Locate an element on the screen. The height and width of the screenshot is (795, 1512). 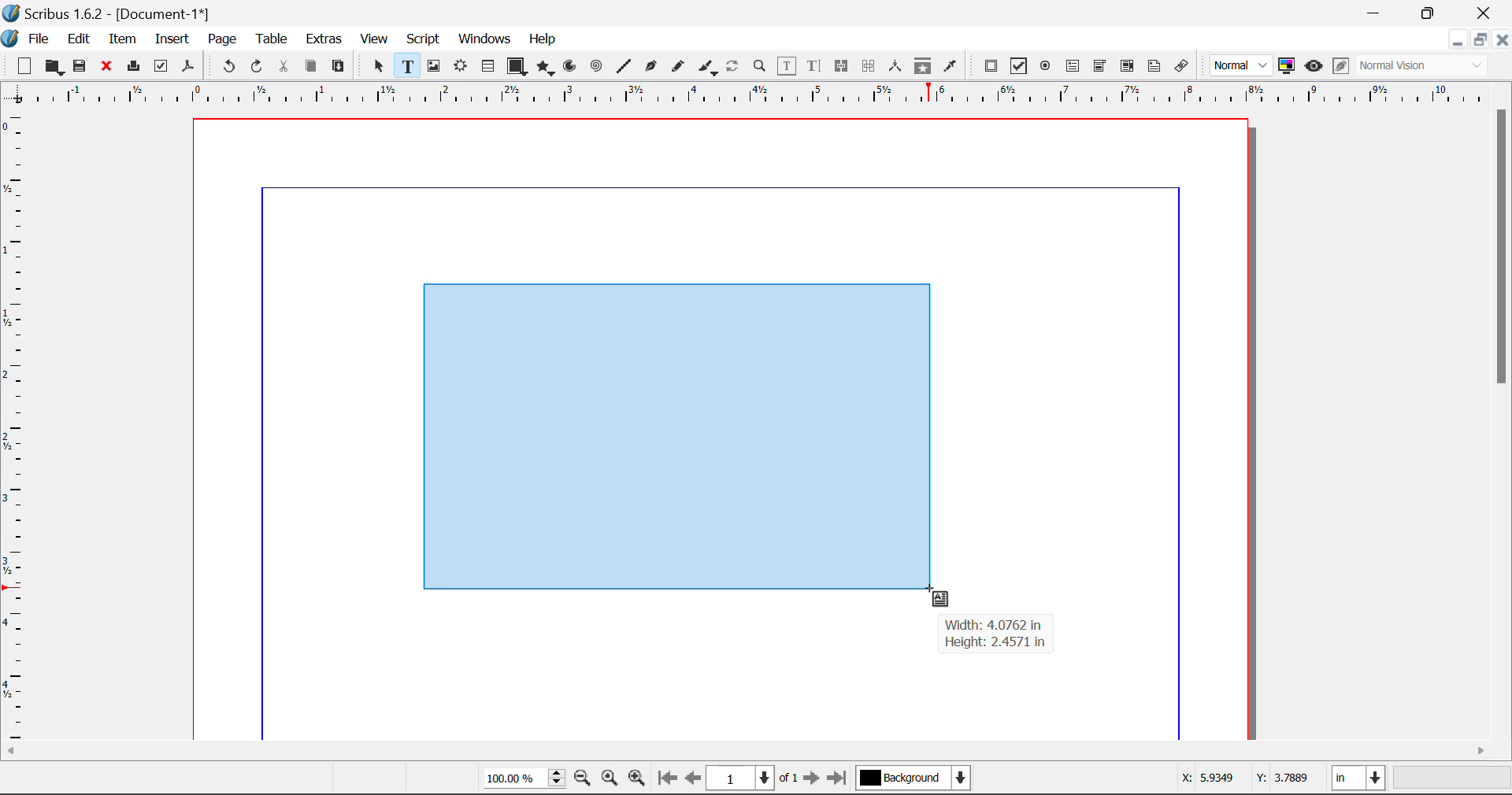
Vertical Page Margins is located at coordinates (764, 94).